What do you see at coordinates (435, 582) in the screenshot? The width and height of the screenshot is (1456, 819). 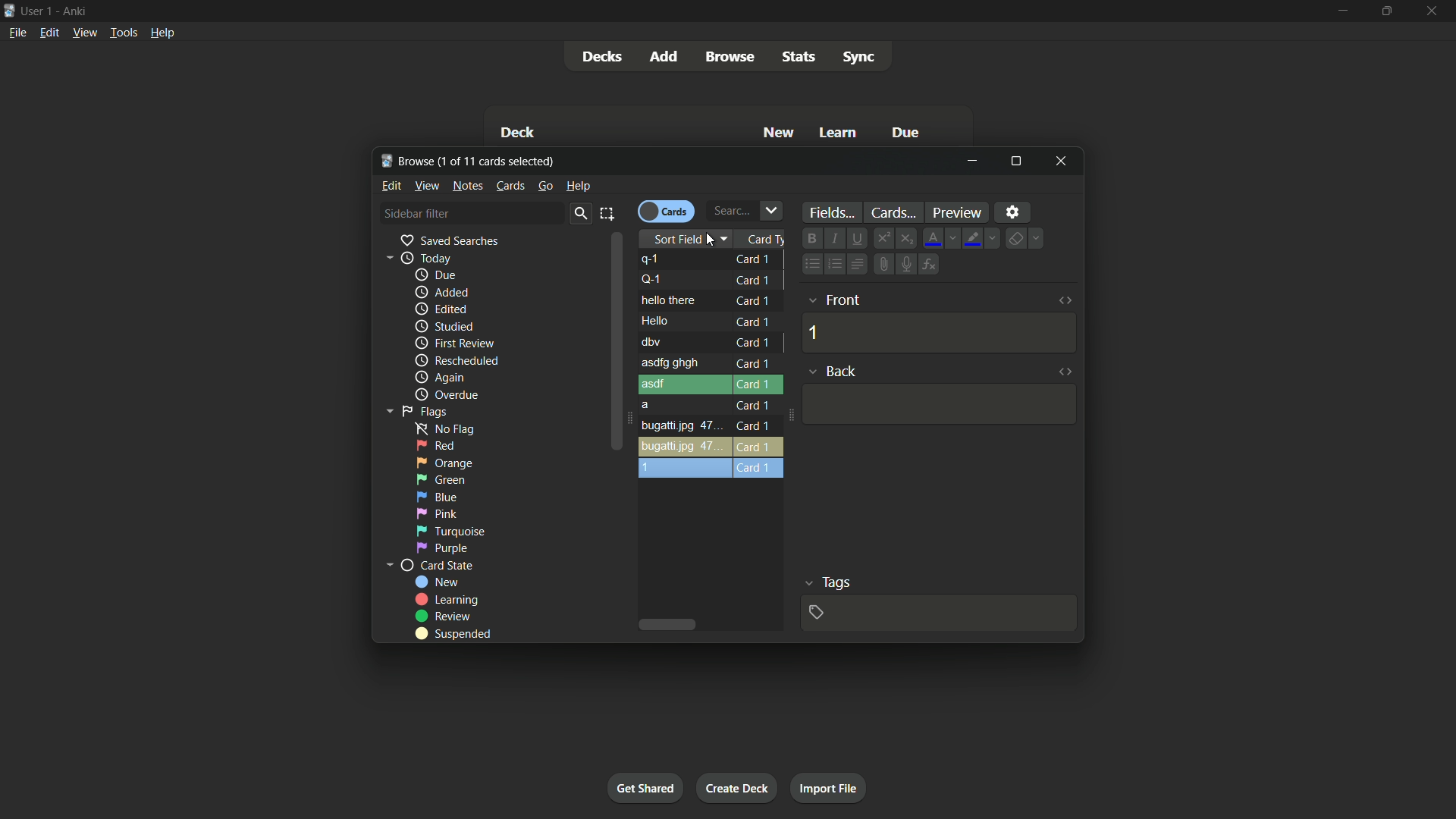 I see `new` at bounding box center [435, 582].